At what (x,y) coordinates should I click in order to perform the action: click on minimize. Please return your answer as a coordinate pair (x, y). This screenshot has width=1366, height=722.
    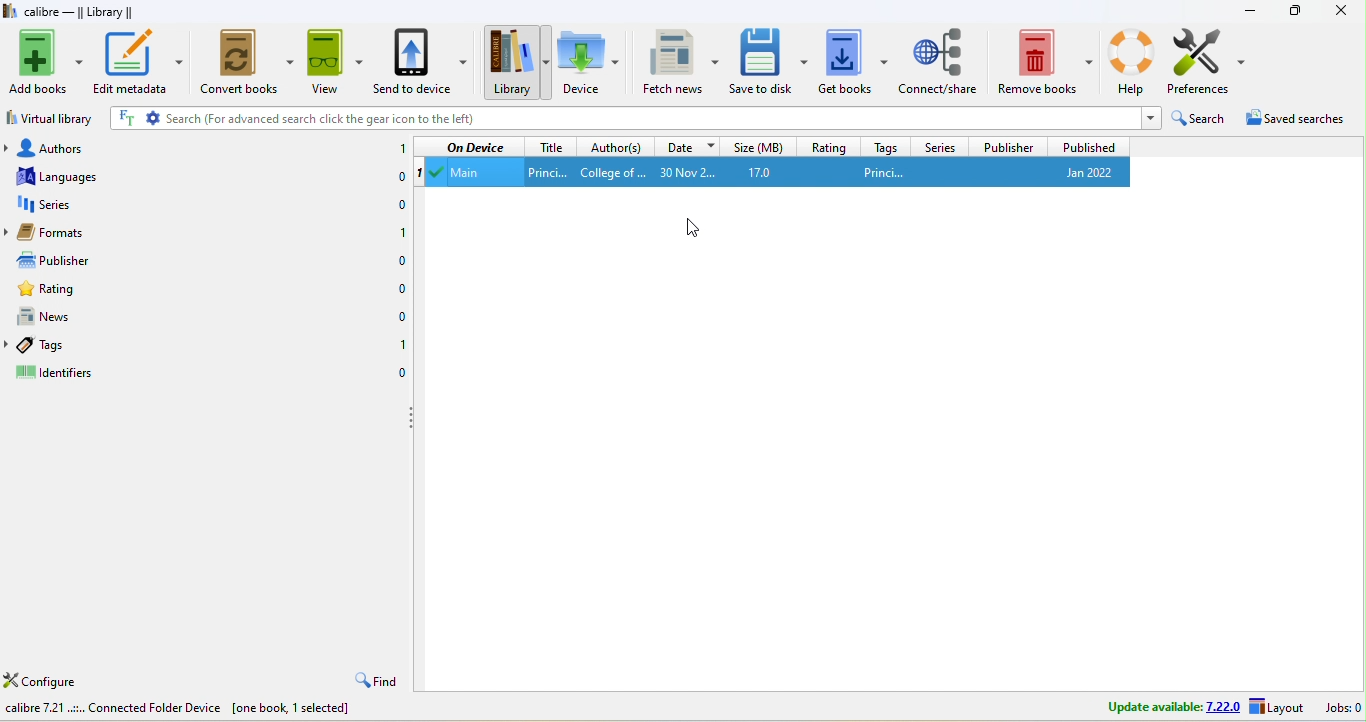
    Looking at the image, I should click on (1250, 10).